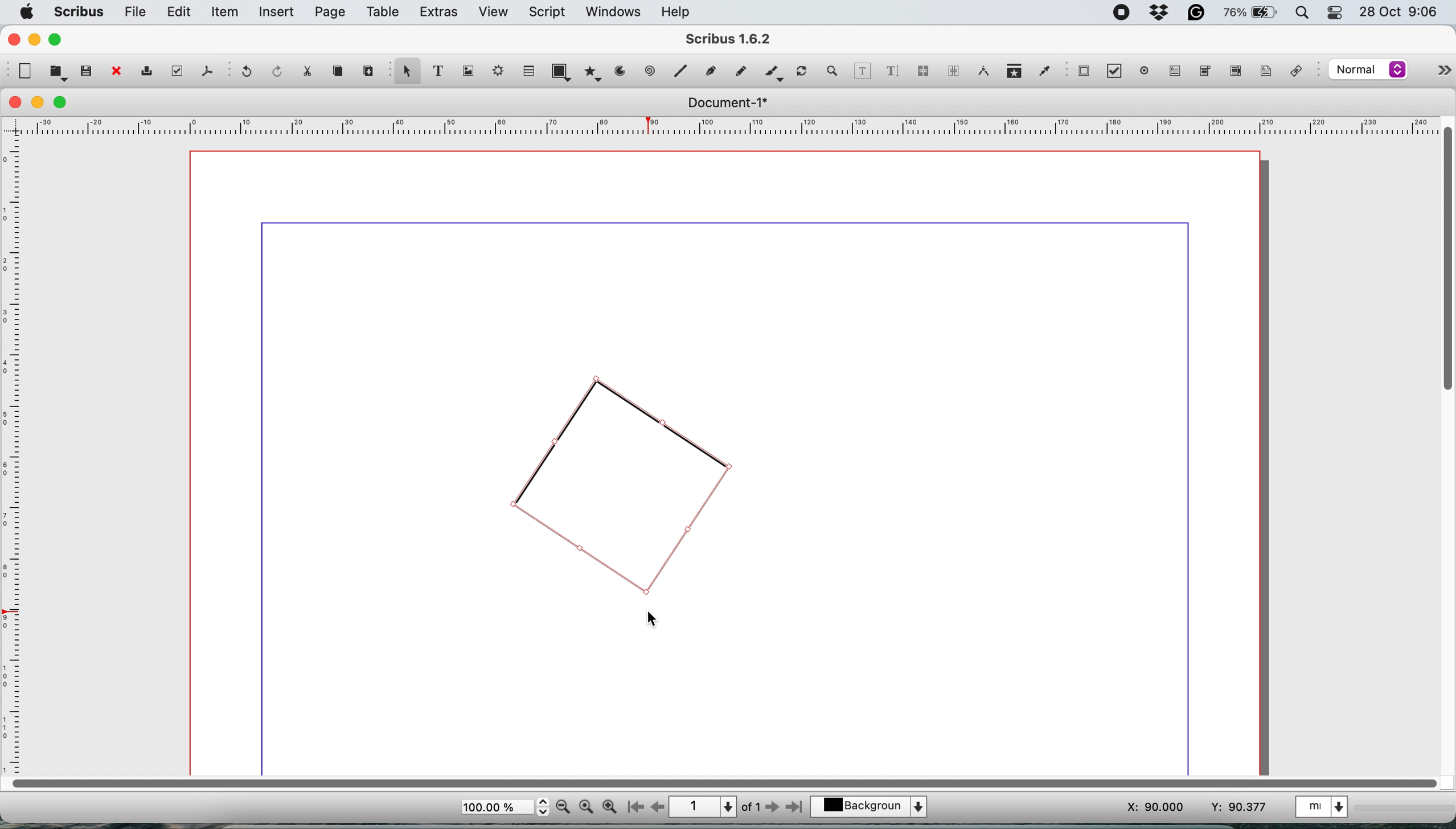 Image resolution: width=1456 pixels, height=829 pixels. I want to click on item, so click(226, 14).